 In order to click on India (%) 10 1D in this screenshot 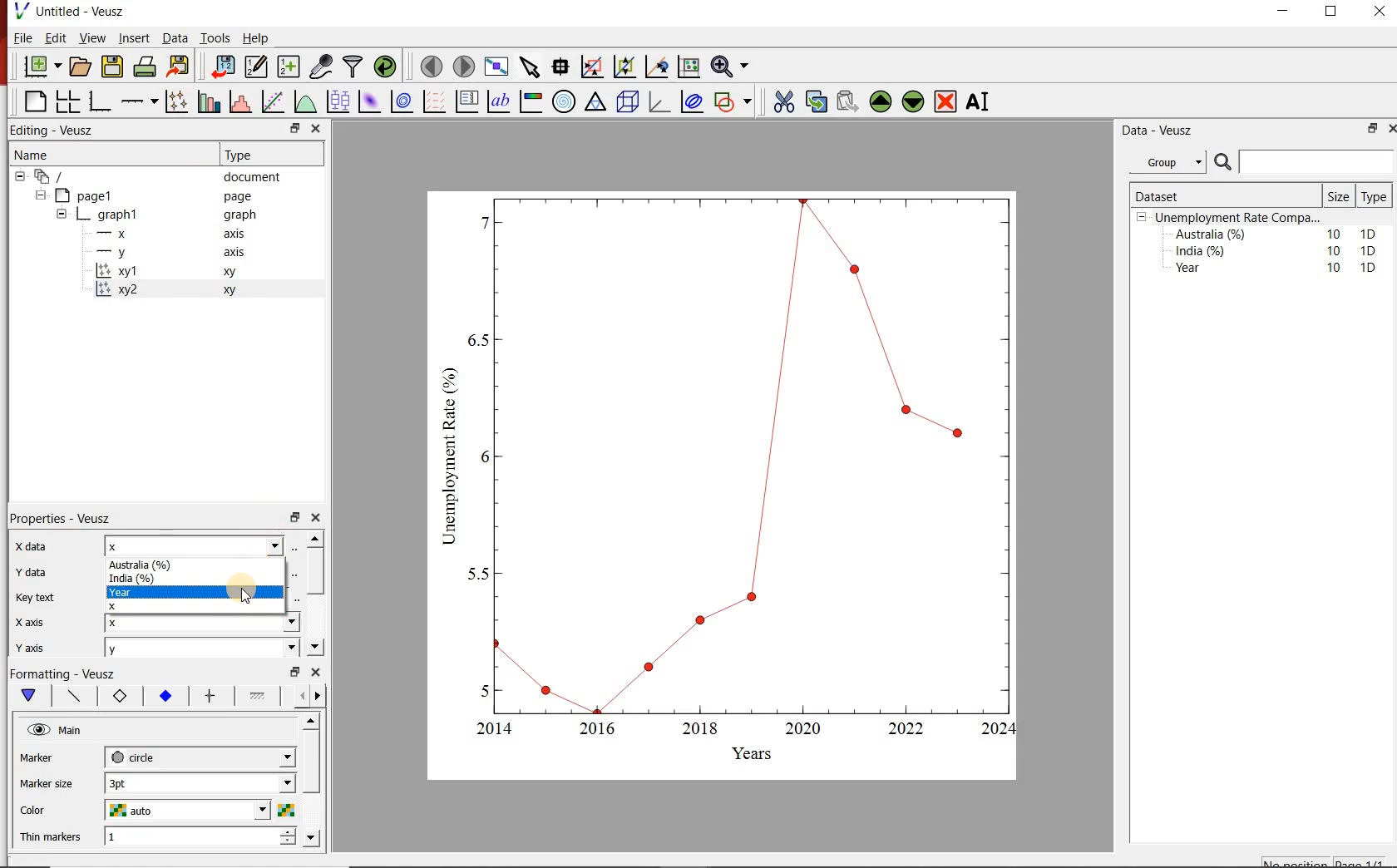, I will do `click(1277, 250)`.